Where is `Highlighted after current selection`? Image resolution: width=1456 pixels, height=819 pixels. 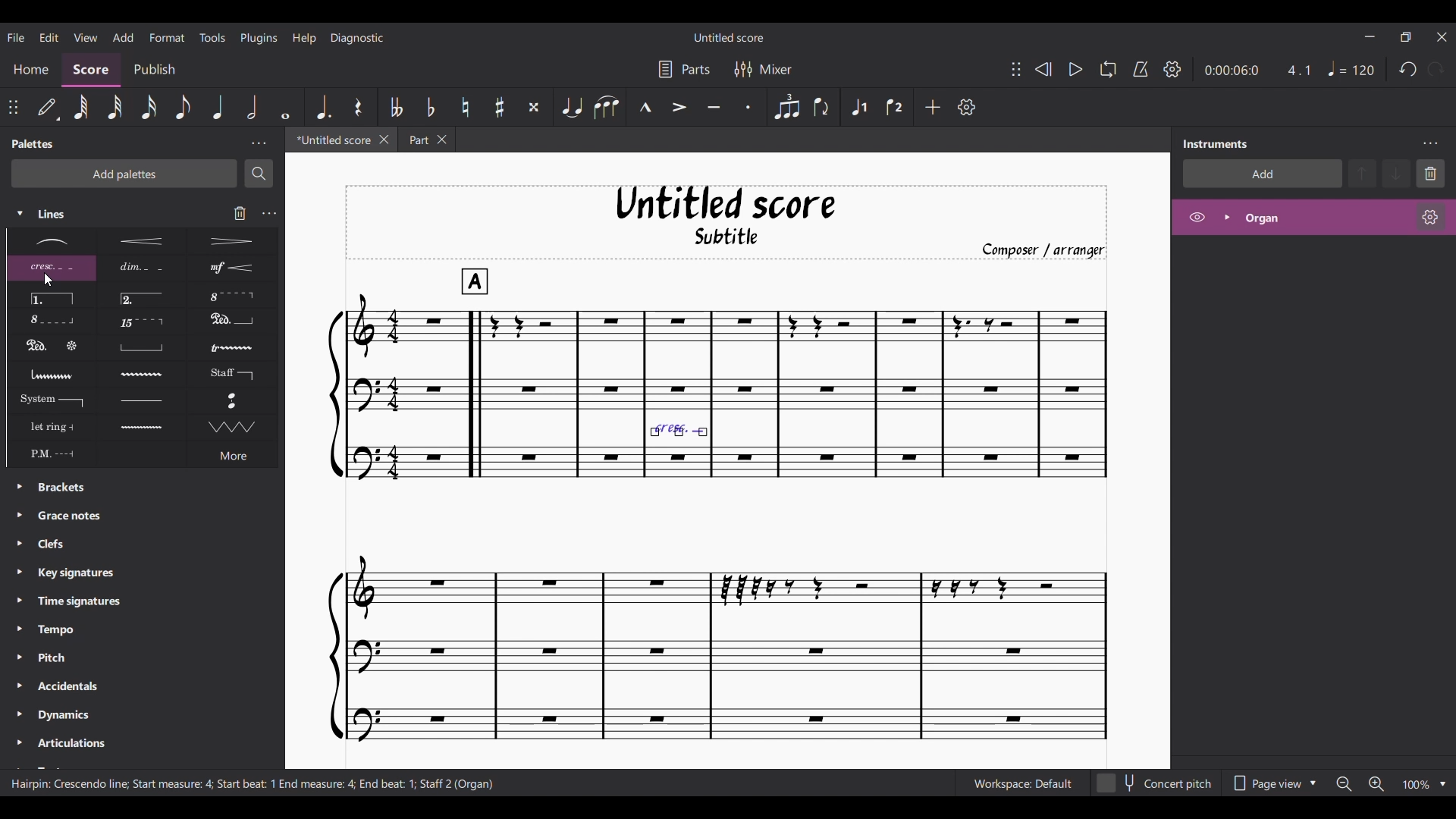 Highlighted after current selection is located at coordinates (860, 108).